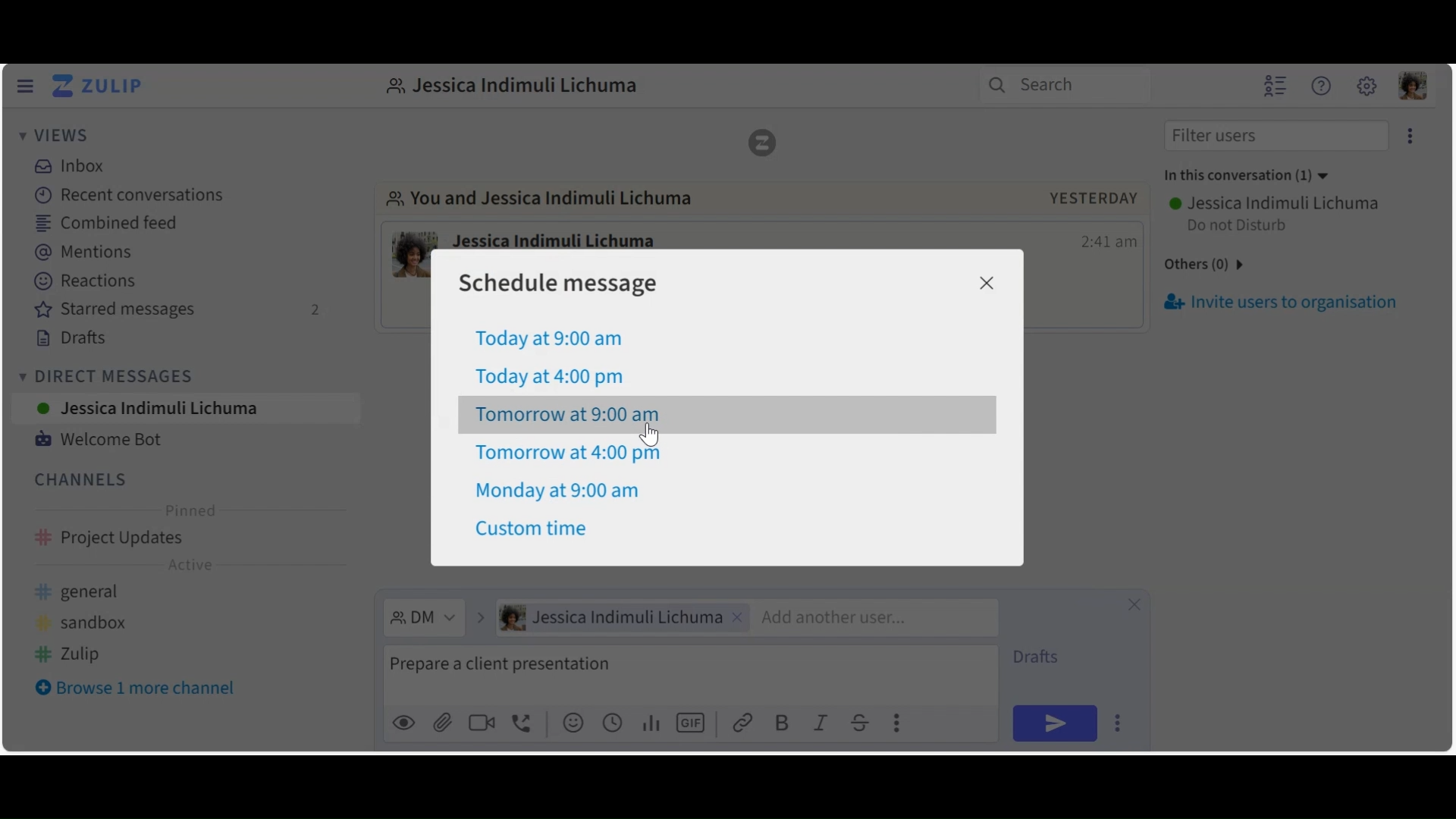 The height and width of the screenshot is (819, 1456). What do you see at coordinates (138, 593) in the screenshot?
I see `general` at bounding box center [138, 593].